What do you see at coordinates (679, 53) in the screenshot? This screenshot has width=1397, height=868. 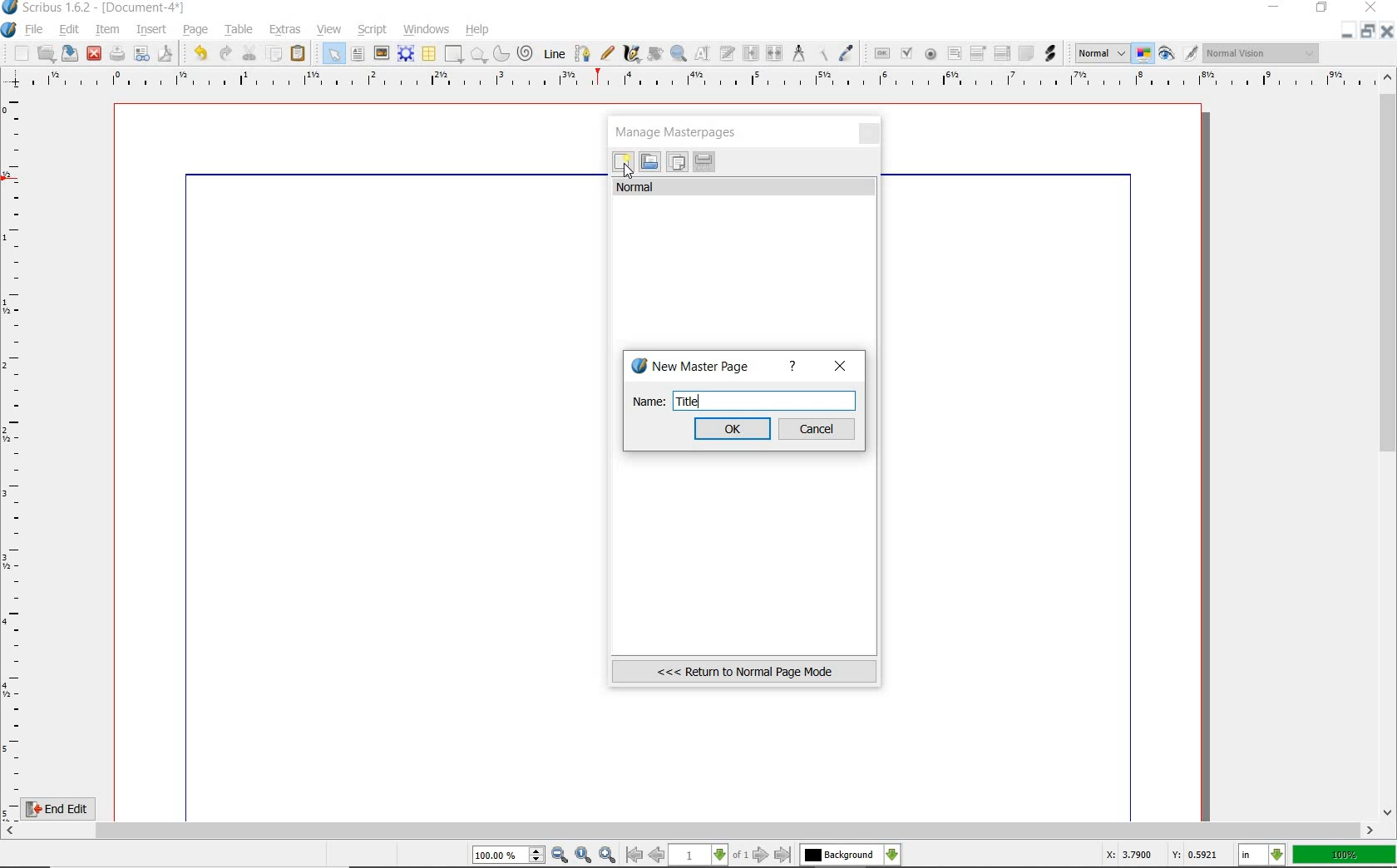 I see `zoom in or zoom out` at bounding box center [679, 53].